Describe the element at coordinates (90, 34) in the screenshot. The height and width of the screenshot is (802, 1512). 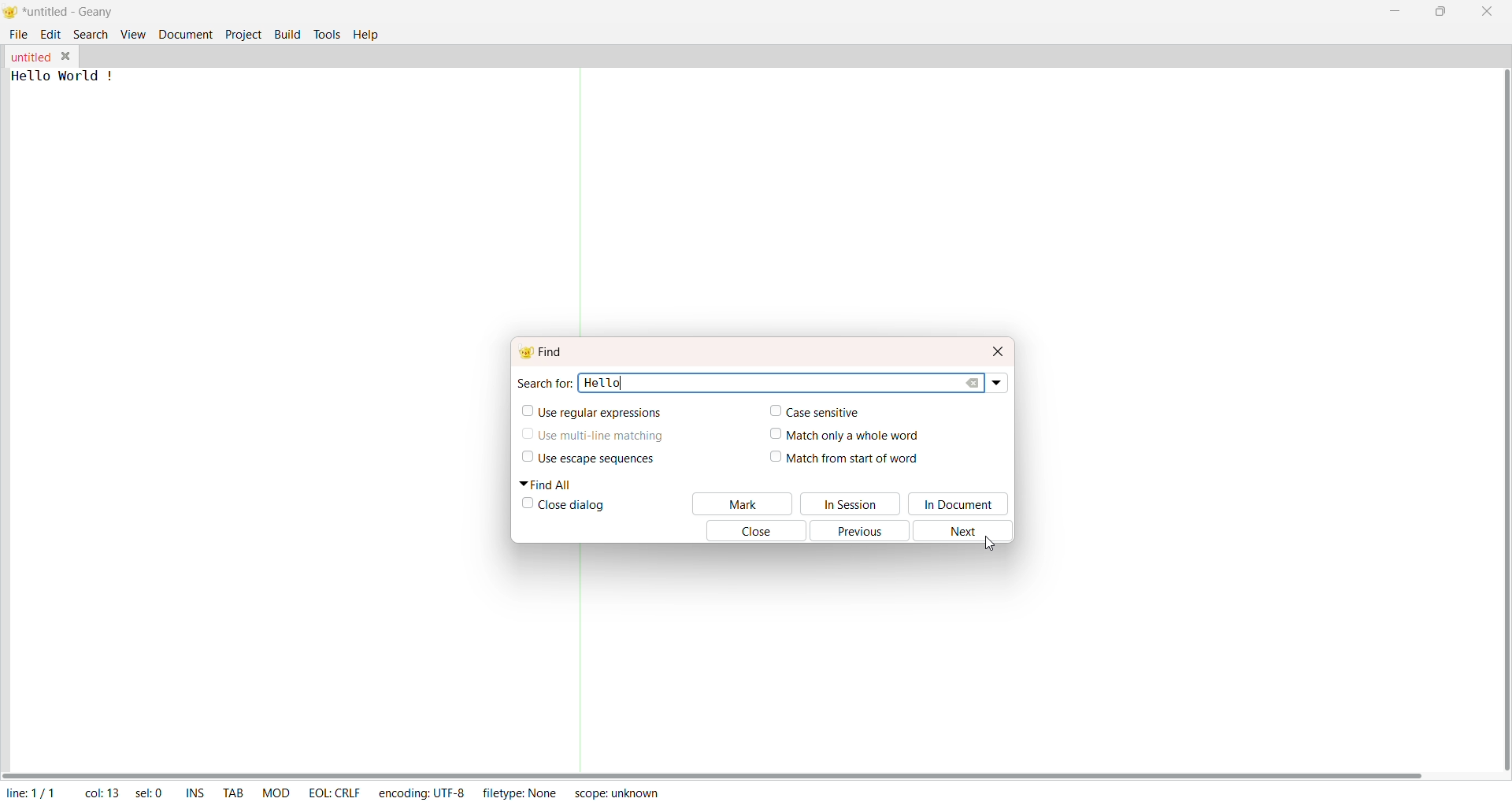
I see `Search` at that location.